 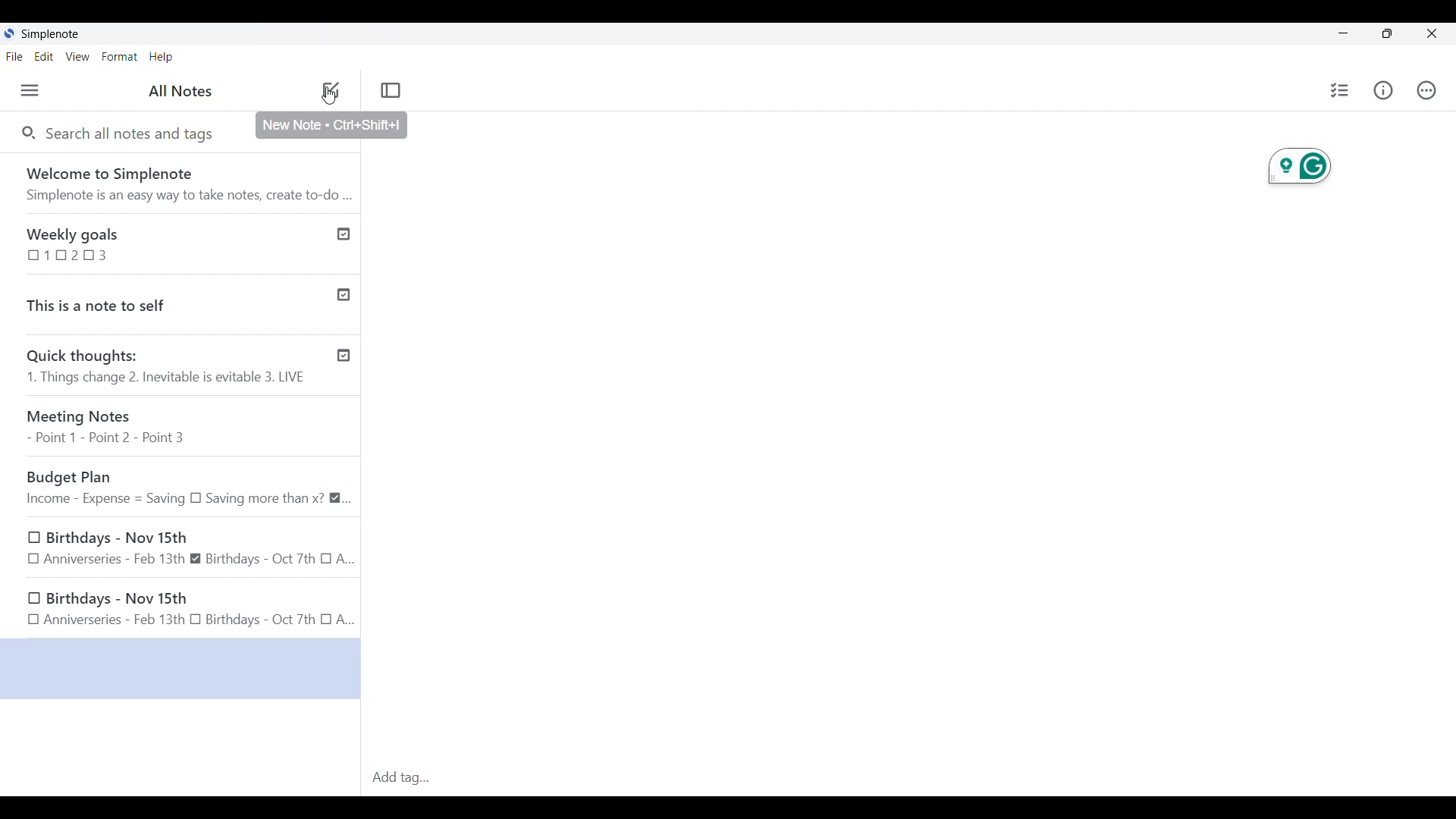 I want to click on Extension for current note, so click(x=1299, y=166).